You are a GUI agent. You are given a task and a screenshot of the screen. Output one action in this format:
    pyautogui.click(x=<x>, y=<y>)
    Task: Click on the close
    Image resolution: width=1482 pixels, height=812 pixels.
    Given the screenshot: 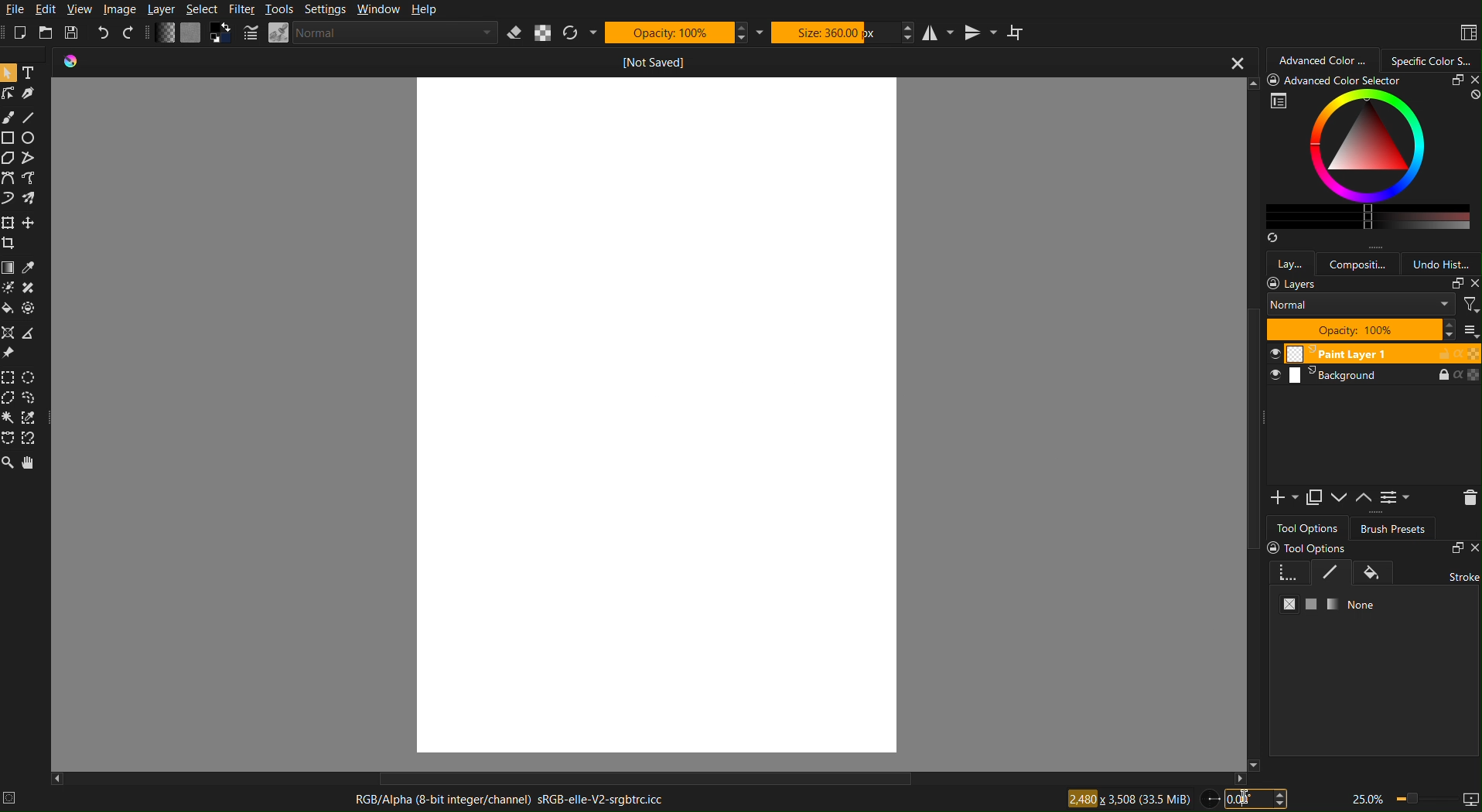 What is the action you would take?
    pyautogui.click(x=1234, y=63)
    